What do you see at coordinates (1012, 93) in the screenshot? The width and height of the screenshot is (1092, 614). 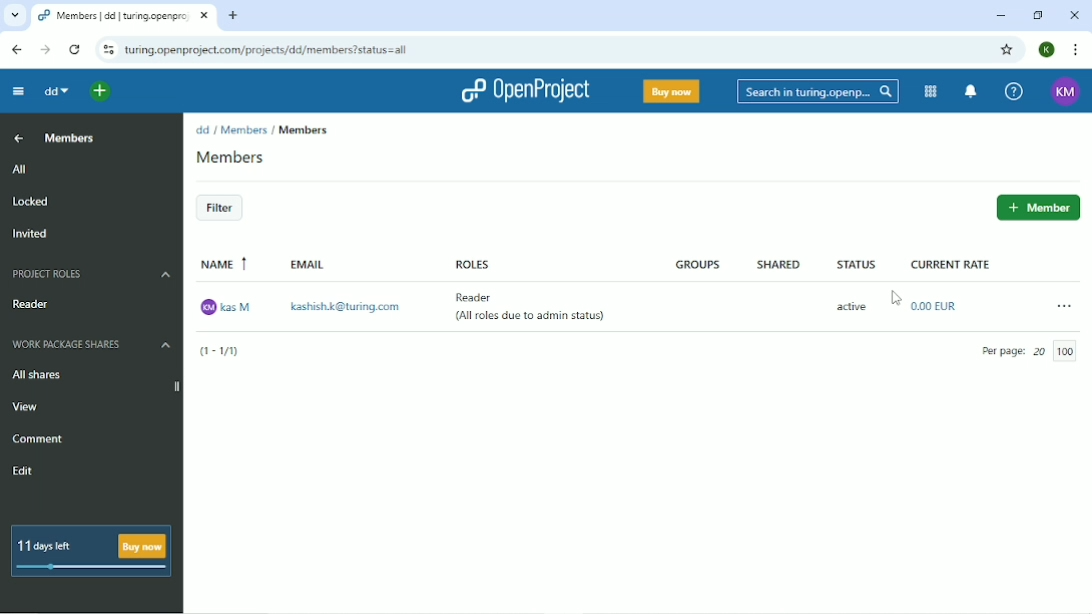 I see `Help` at bounding box center [1012, 93].